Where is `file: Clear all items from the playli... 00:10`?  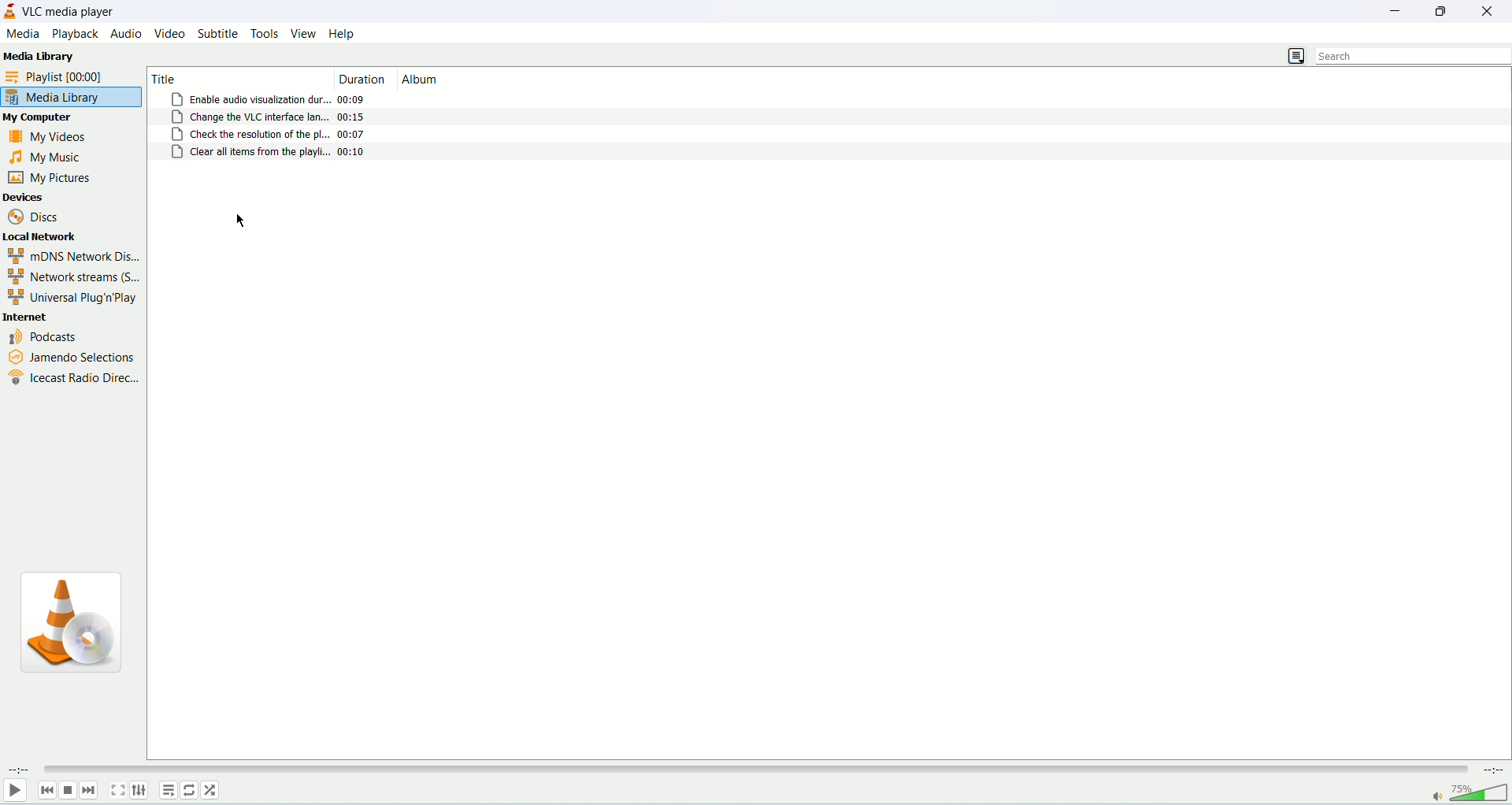
file: Clear all items from the playli... 00:10 is located at coordinates (270, 153).